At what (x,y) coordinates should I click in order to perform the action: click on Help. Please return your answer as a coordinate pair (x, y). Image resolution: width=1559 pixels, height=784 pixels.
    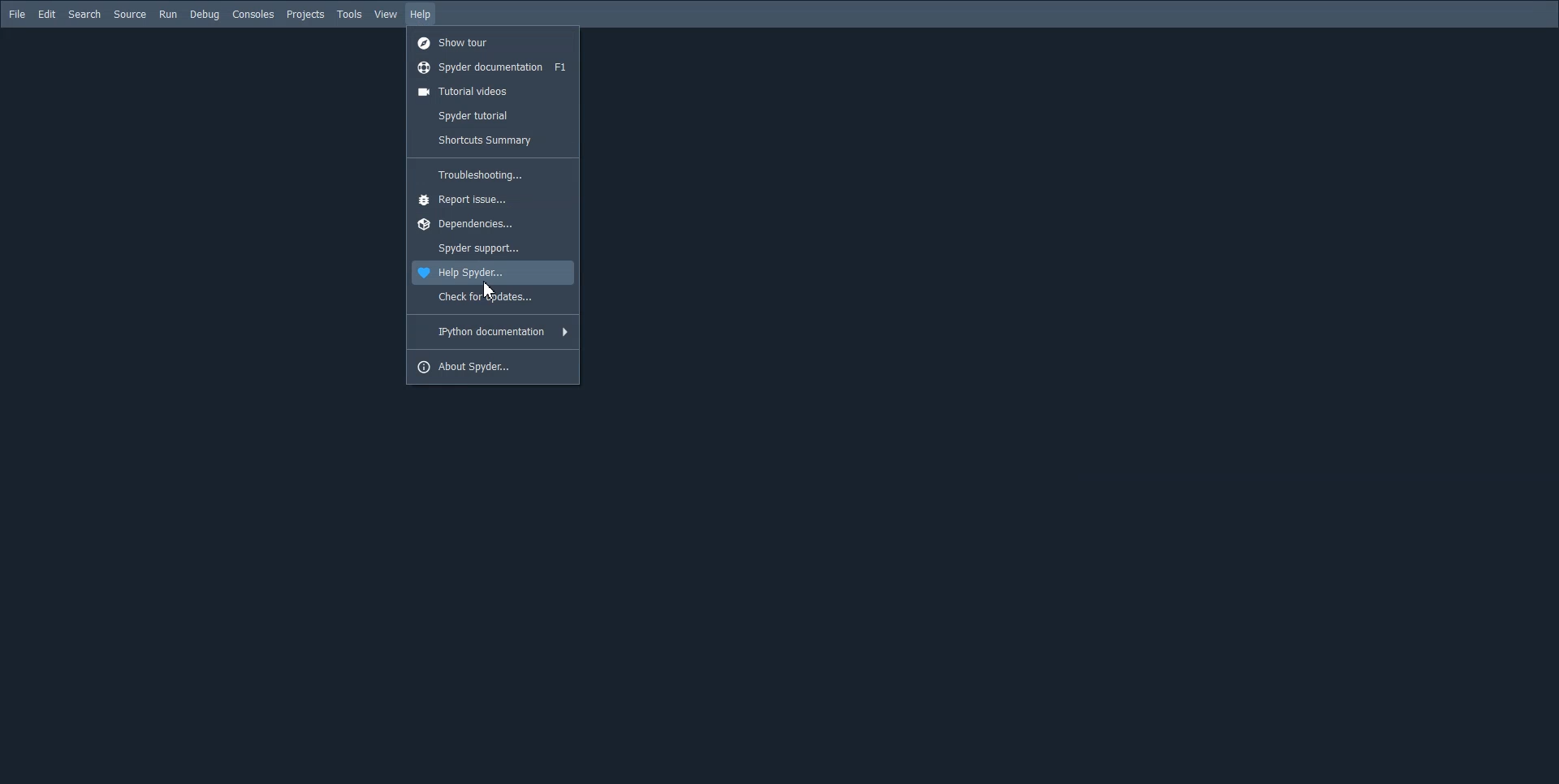
    Looking at the image, I should click on (421, 14).